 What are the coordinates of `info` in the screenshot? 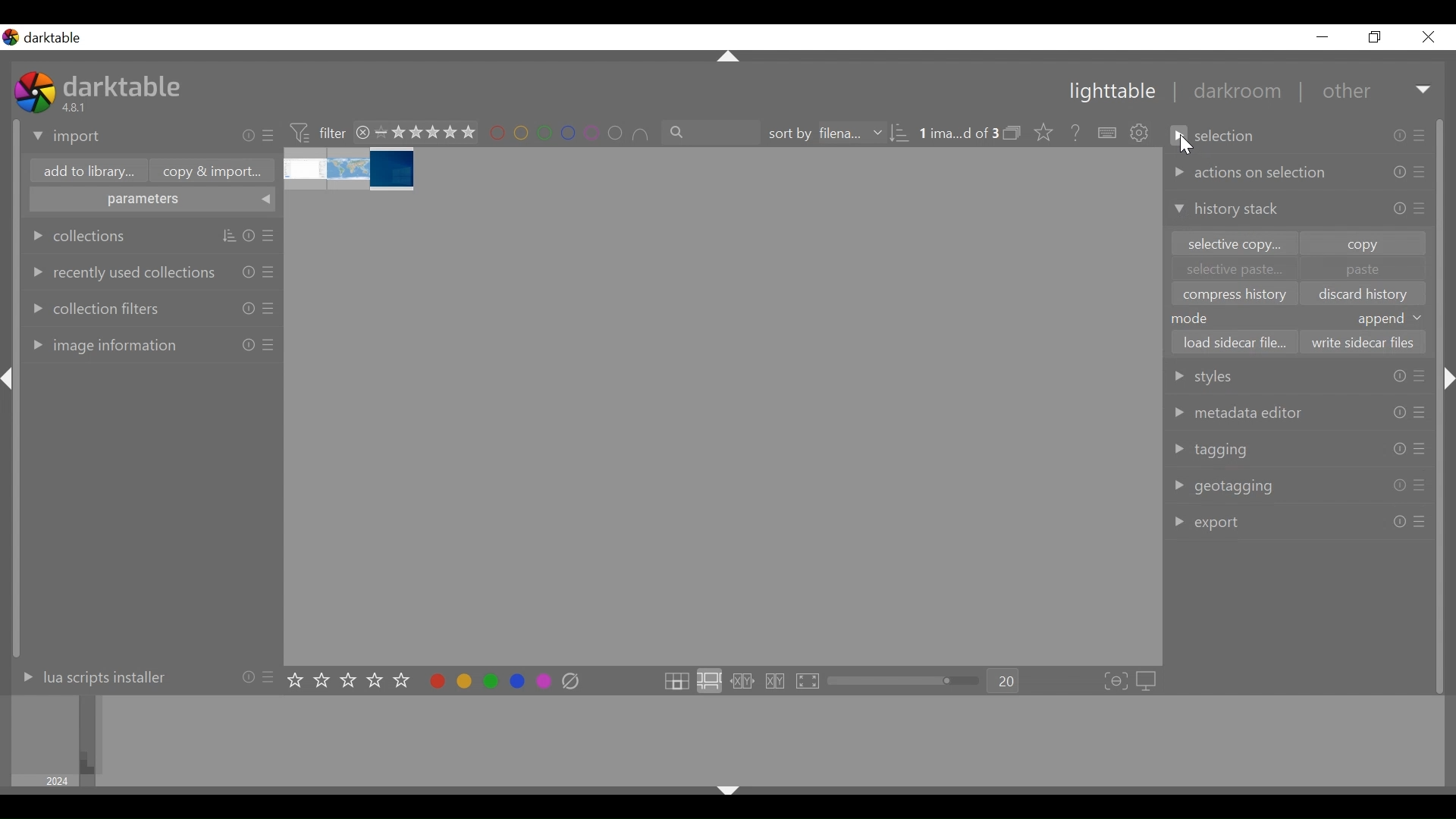 It's located at (1398, 413).